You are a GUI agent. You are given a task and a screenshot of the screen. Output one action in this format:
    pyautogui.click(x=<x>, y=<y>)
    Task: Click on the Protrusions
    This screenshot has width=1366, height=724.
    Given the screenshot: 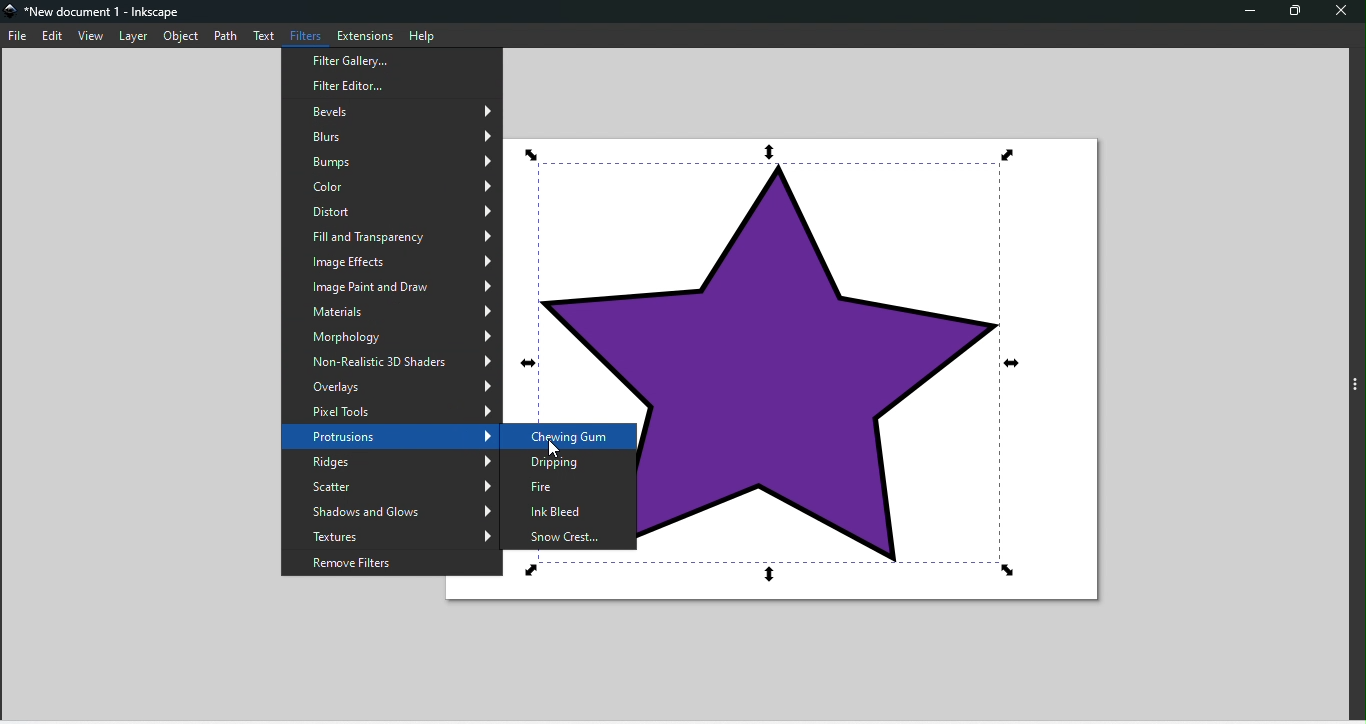 What is the action you would take?
    pyautogui.click(x=391, y=436)
    